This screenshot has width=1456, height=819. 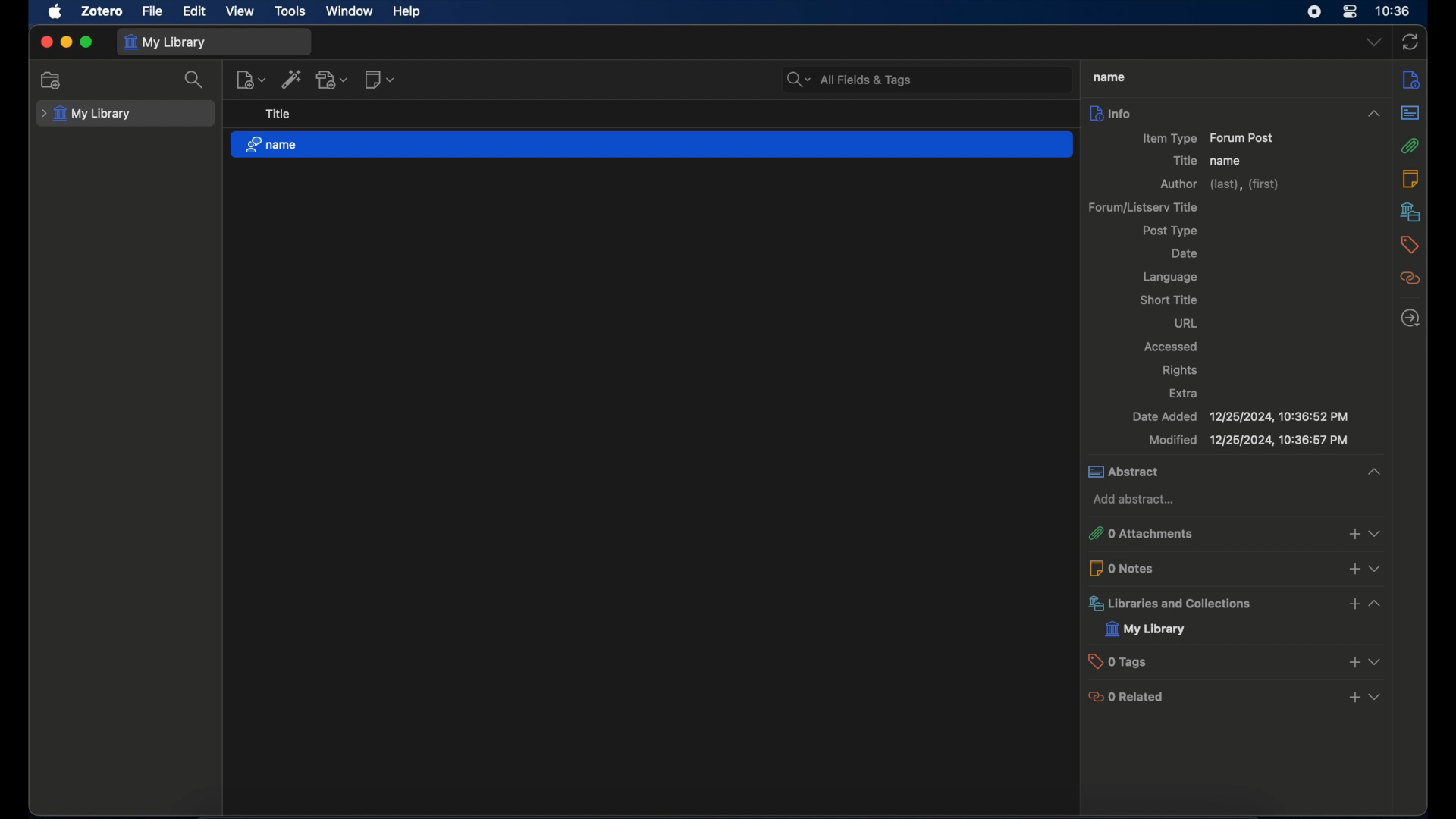 What do you see at coordinates (167, 43) in the screenshot?
I see `my library` at bounding box center [167, 43].